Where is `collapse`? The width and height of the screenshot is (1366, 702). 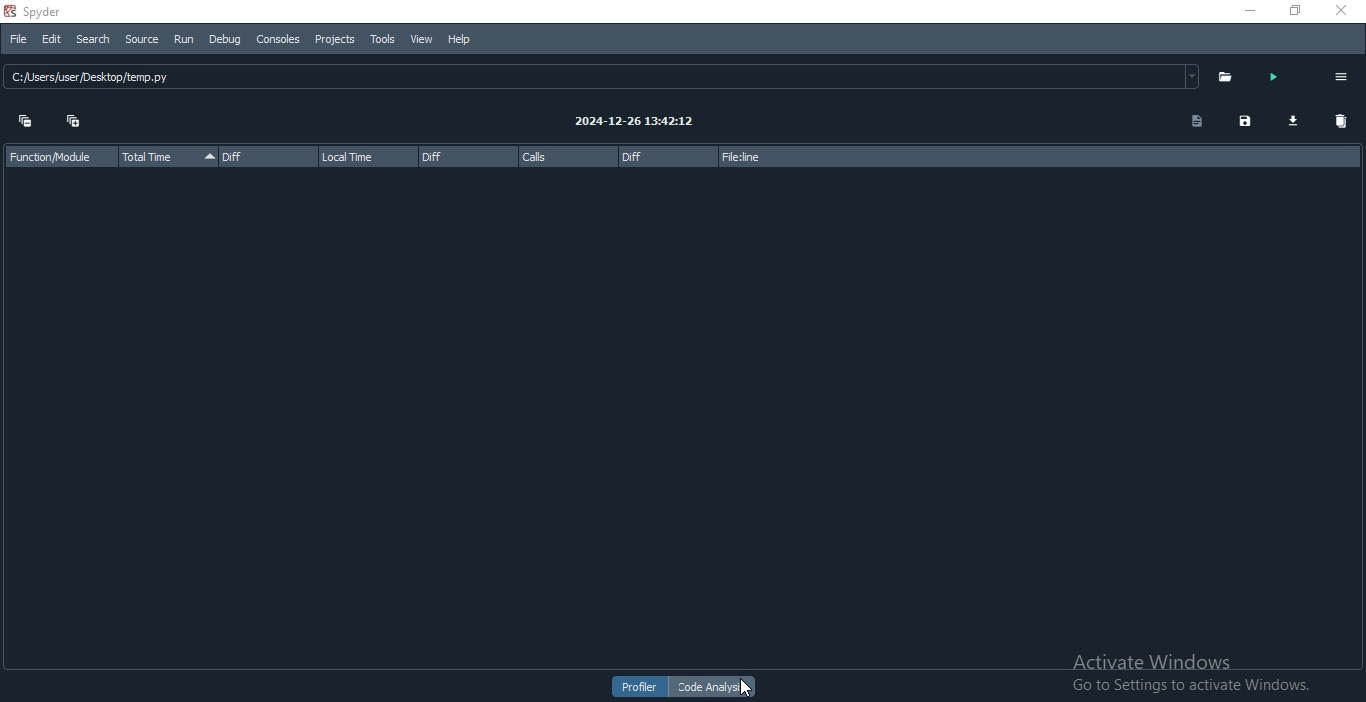
collapse is located at coordinates (23, 123).